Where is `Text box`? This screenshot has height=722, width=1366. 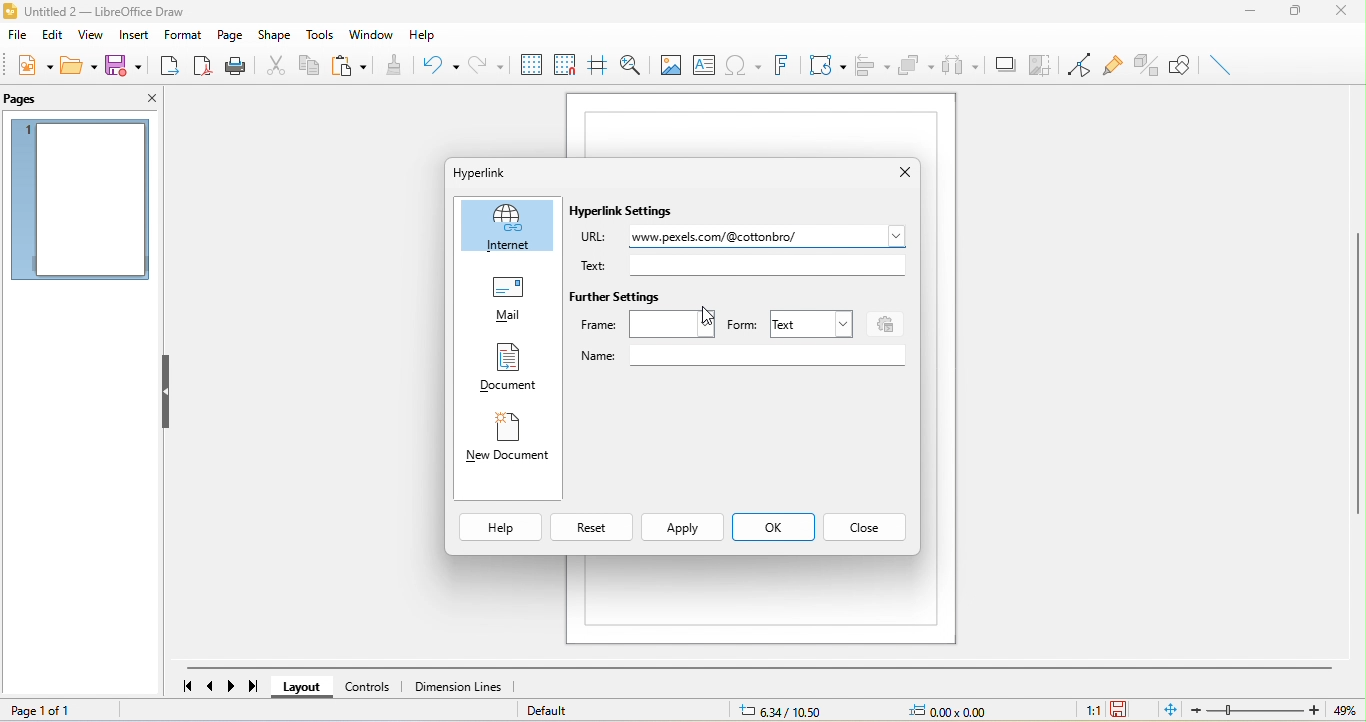
Text box is located at coordinates (767, 265).